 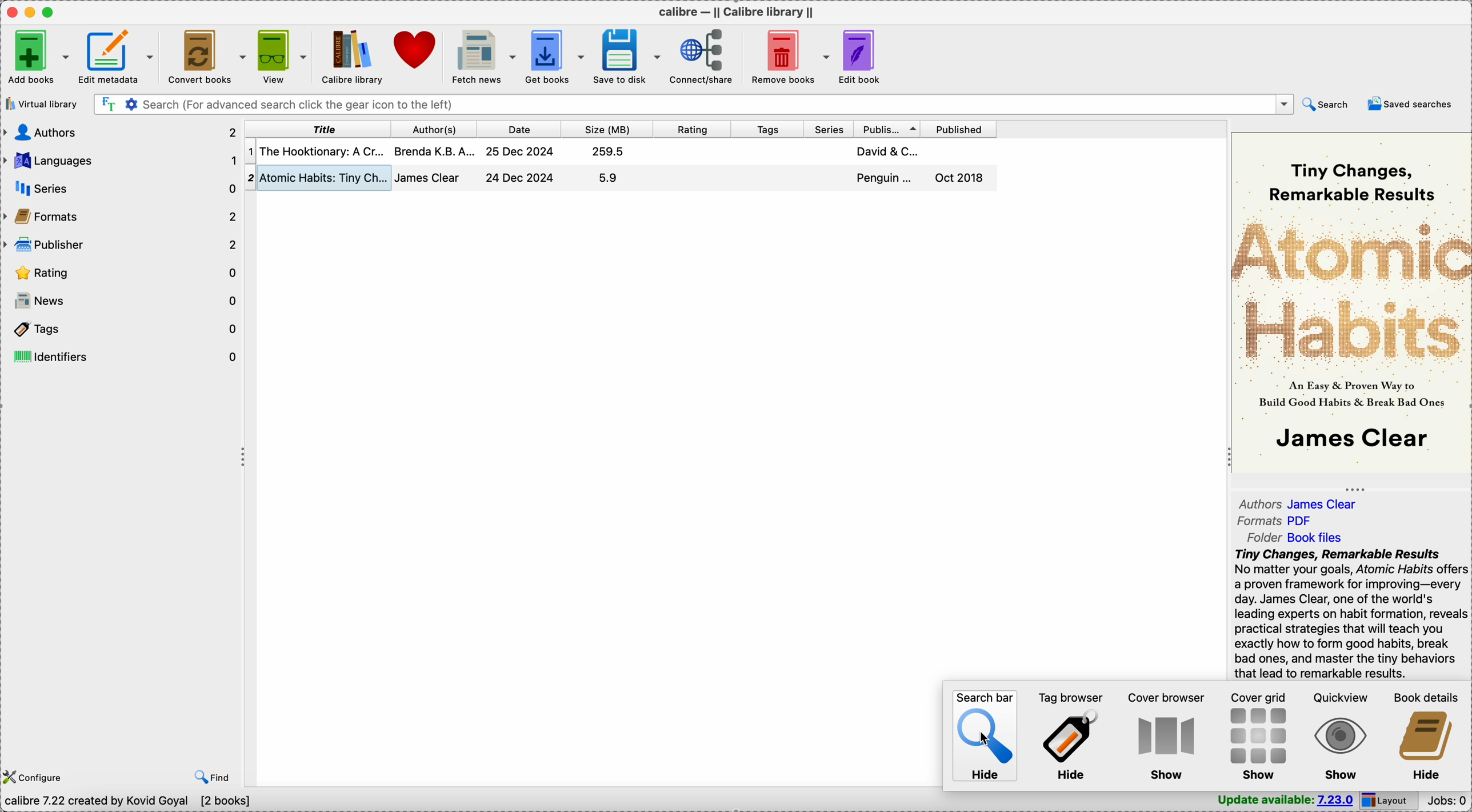 I want to click on series, so click(x=829, y=129).